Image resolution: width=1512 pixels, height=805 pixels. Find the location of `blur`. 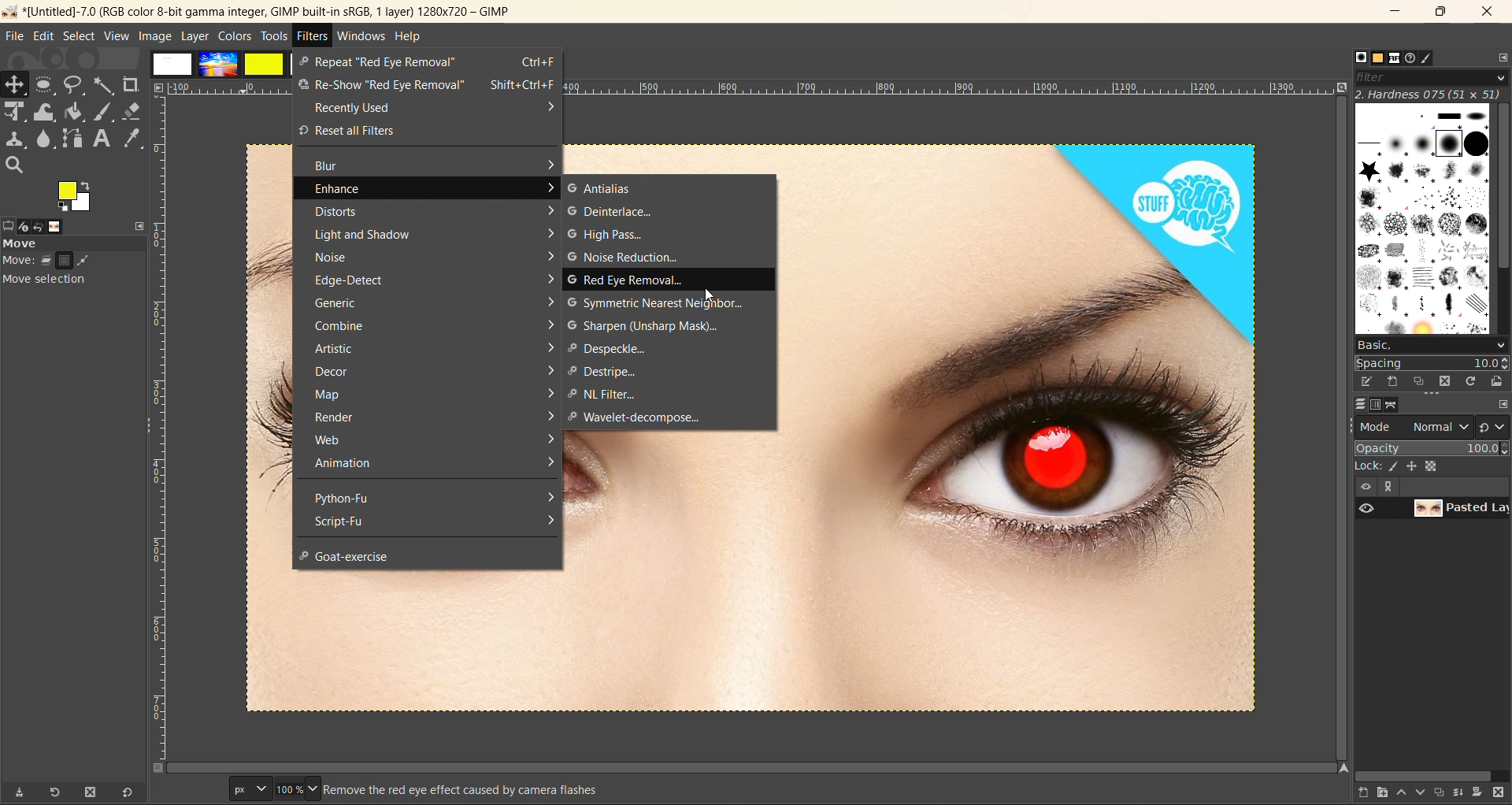

blur is located at coordinates (435, 165).